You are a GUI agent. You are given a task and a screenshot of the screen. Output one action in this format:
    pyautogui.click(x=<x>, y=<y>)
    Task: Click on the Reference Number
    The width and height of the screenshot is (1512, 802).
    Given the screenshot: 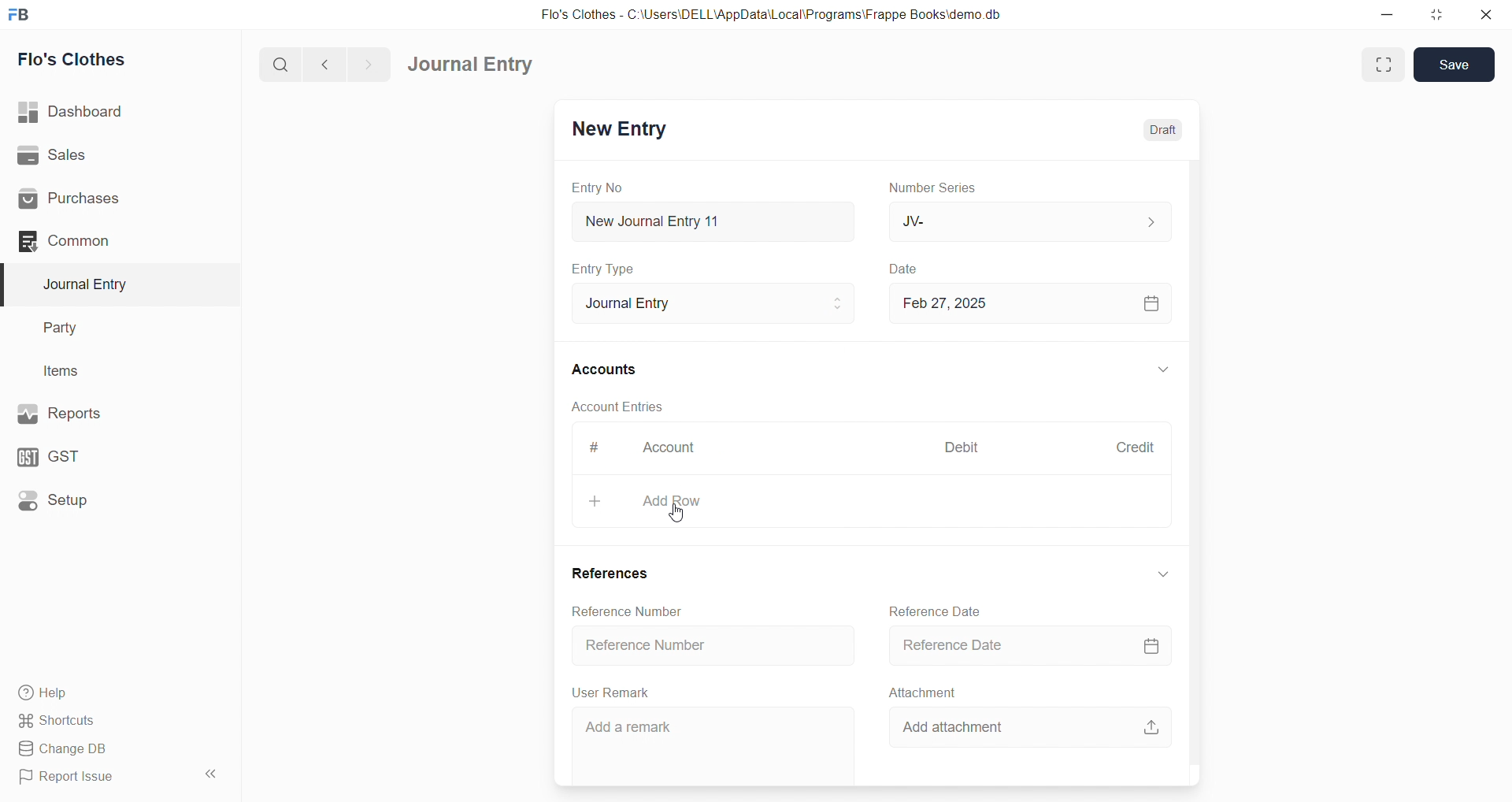 What is the action you would take?
    pyautogui.click(x=628, y=611)
    